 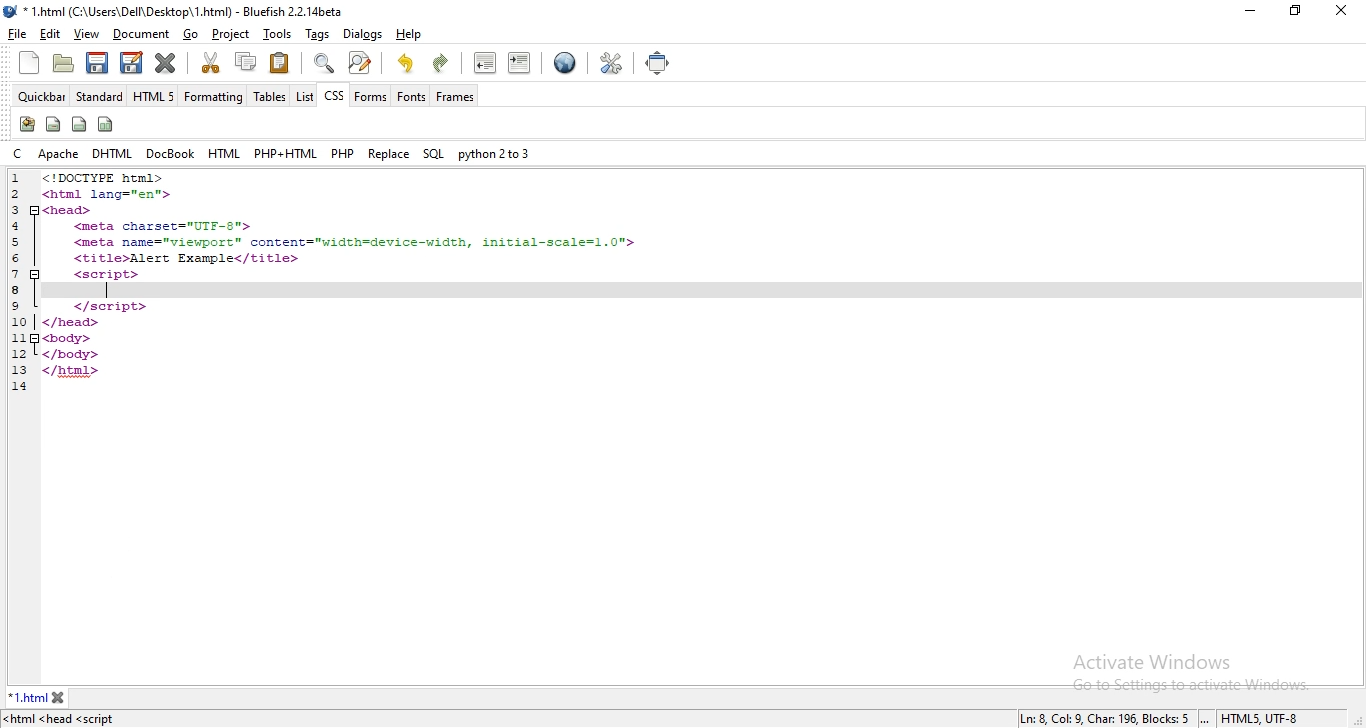 What do you see at coordinates (166, 227) in the screenshot?
I see `<meta charset="UTF-8">` at bounding box center [166, 227].